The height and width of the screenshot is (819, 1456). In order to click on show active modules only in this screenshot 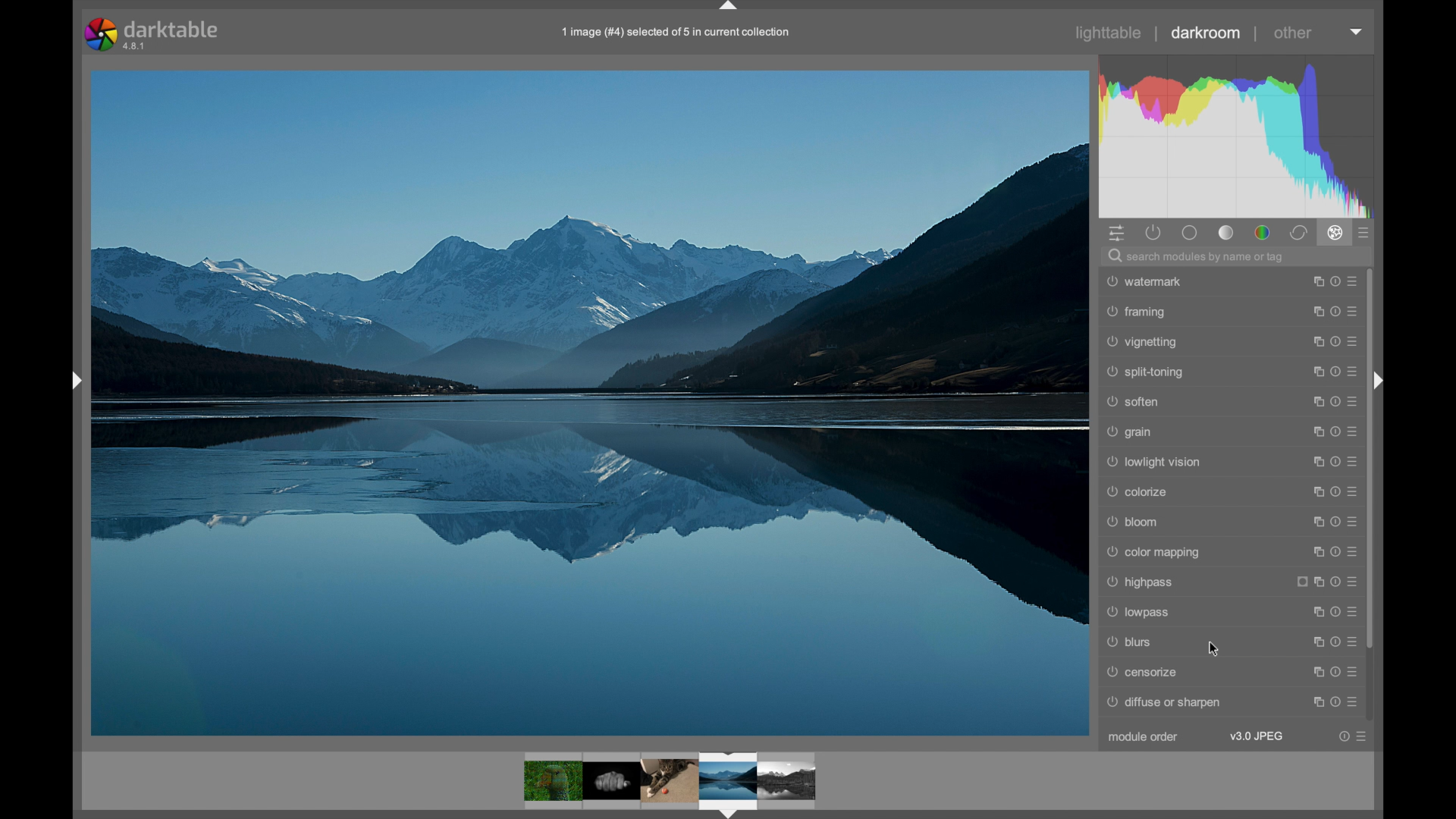, I will do `click(1153, 232)`.